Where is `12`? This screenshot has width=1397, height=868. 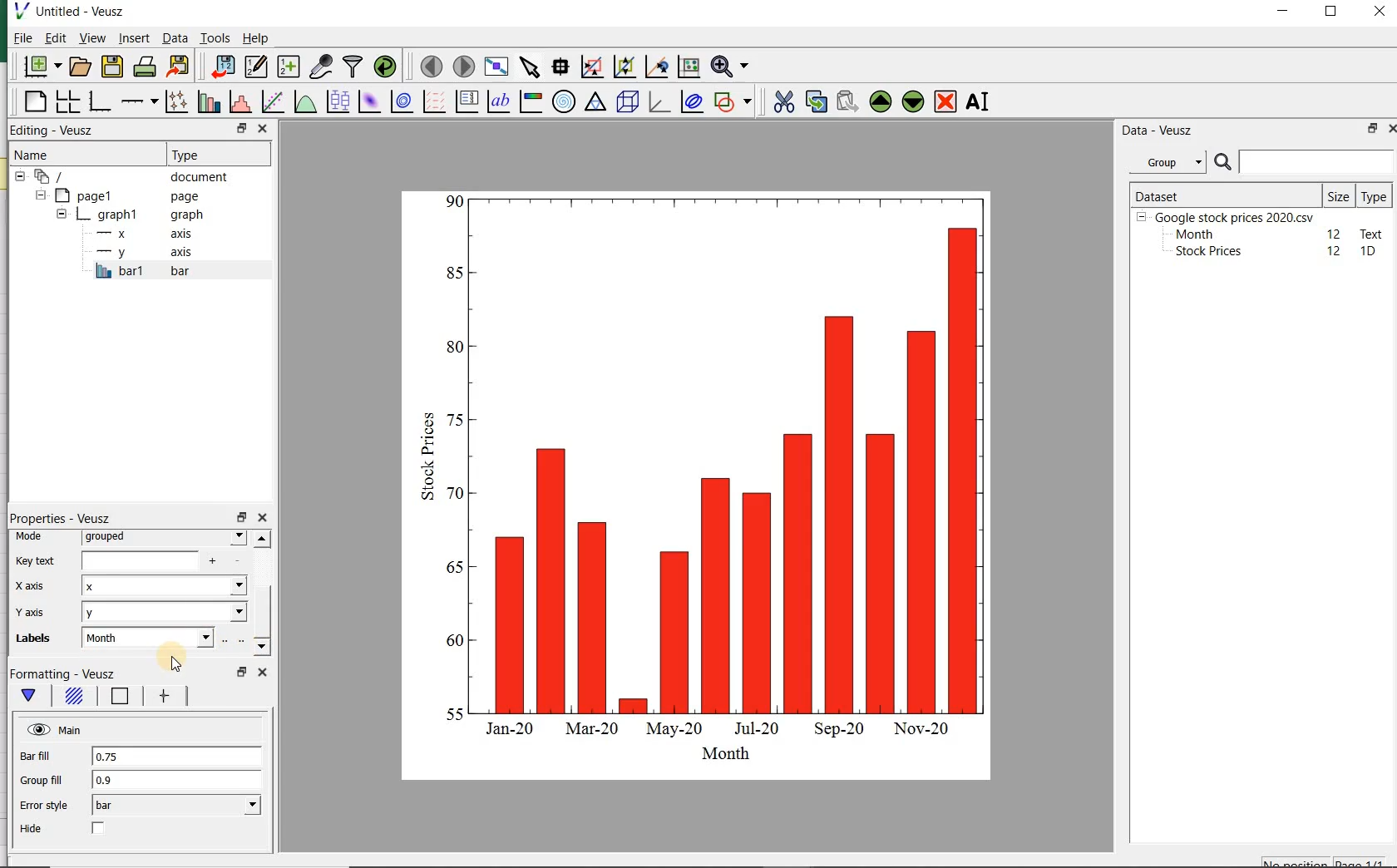 12 is located at coordinates (1335, 251).